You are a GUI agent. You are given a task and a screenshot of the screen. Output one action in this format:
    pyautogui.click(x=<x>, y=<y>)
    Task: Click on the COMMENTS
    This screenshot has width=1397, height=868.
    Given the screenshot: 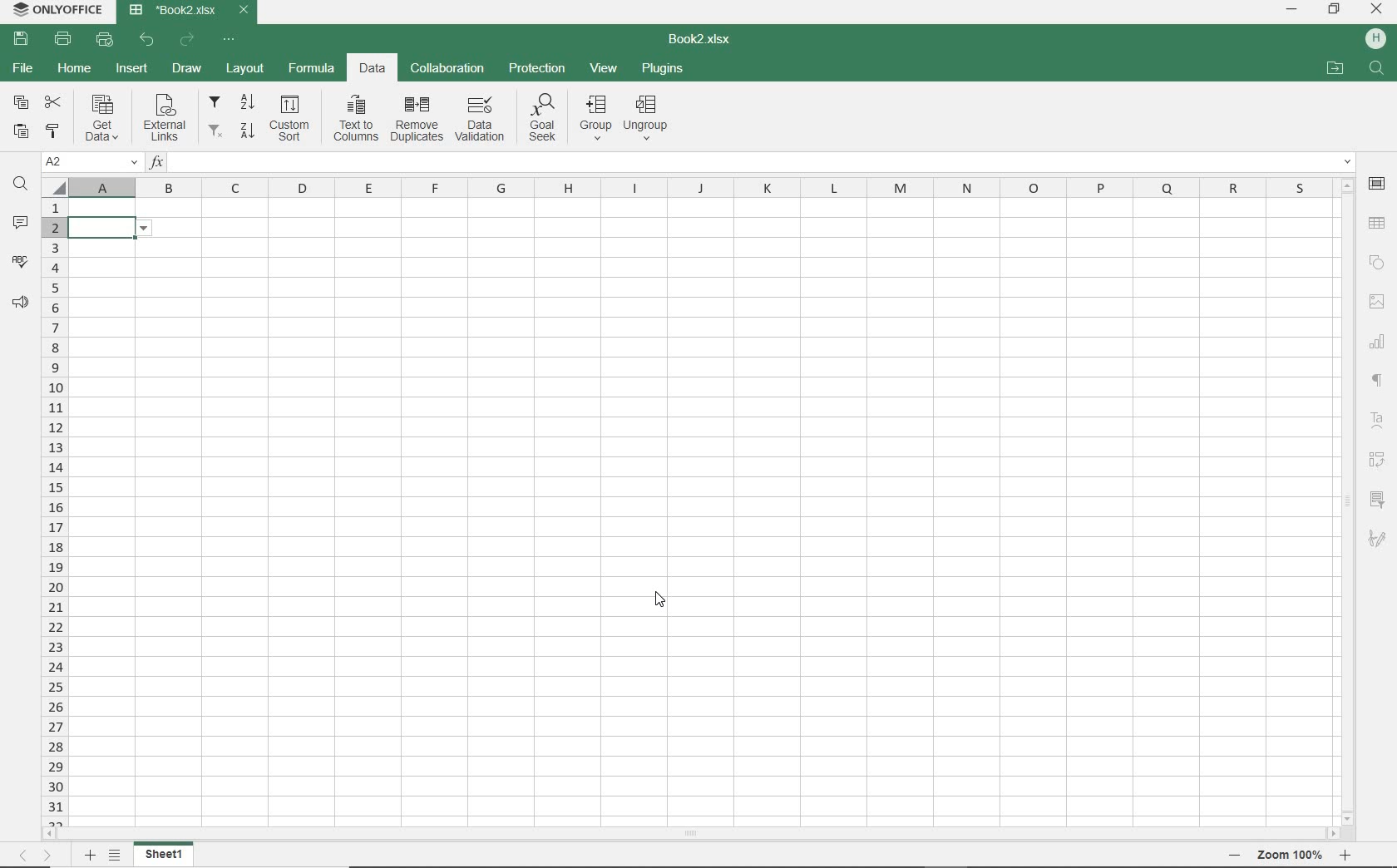 What is the action you would take?
    pyautogui.click(x=18, y=224)
    